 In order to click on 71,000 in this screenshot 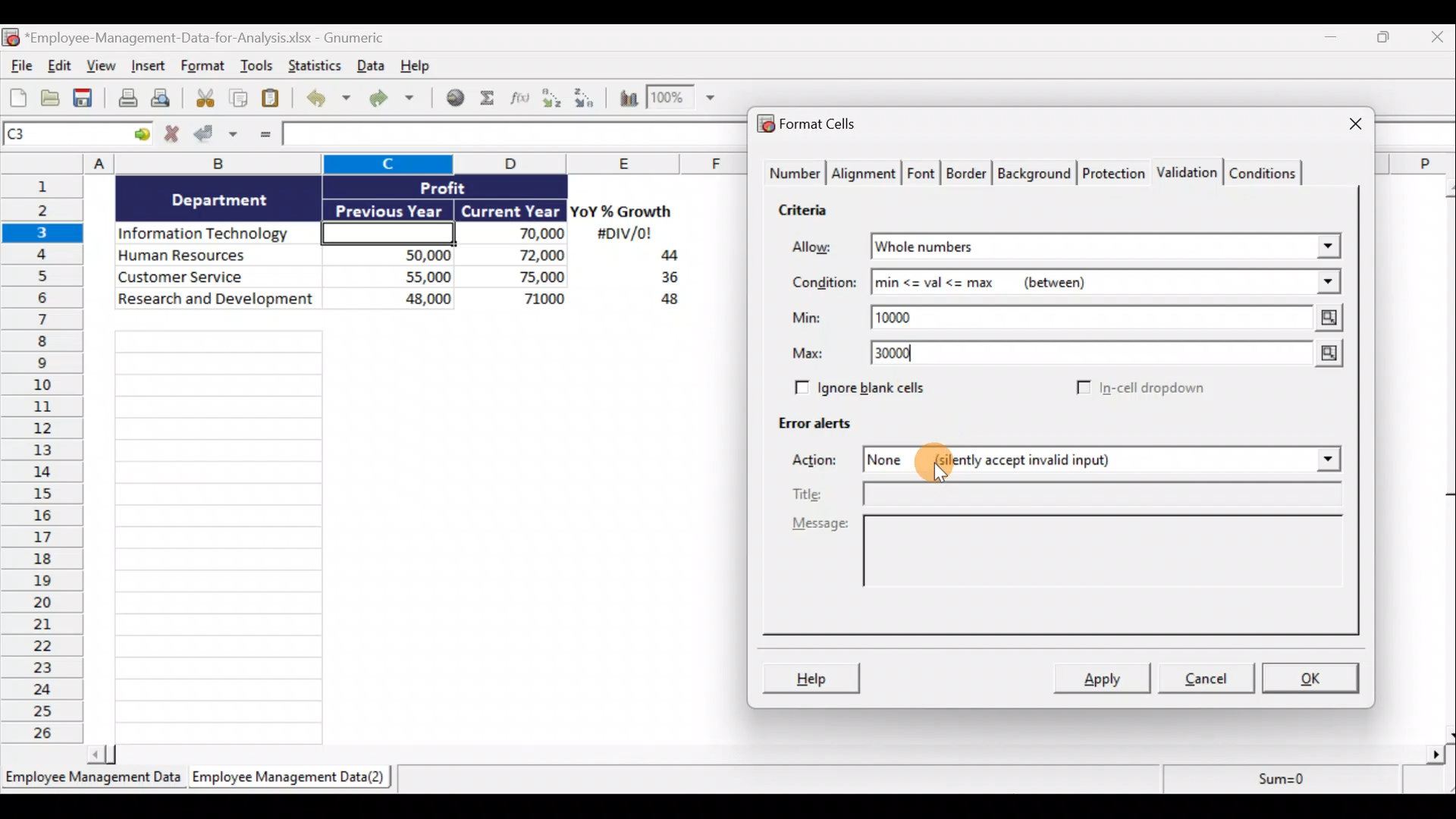, I will do `click(522, 300)`.